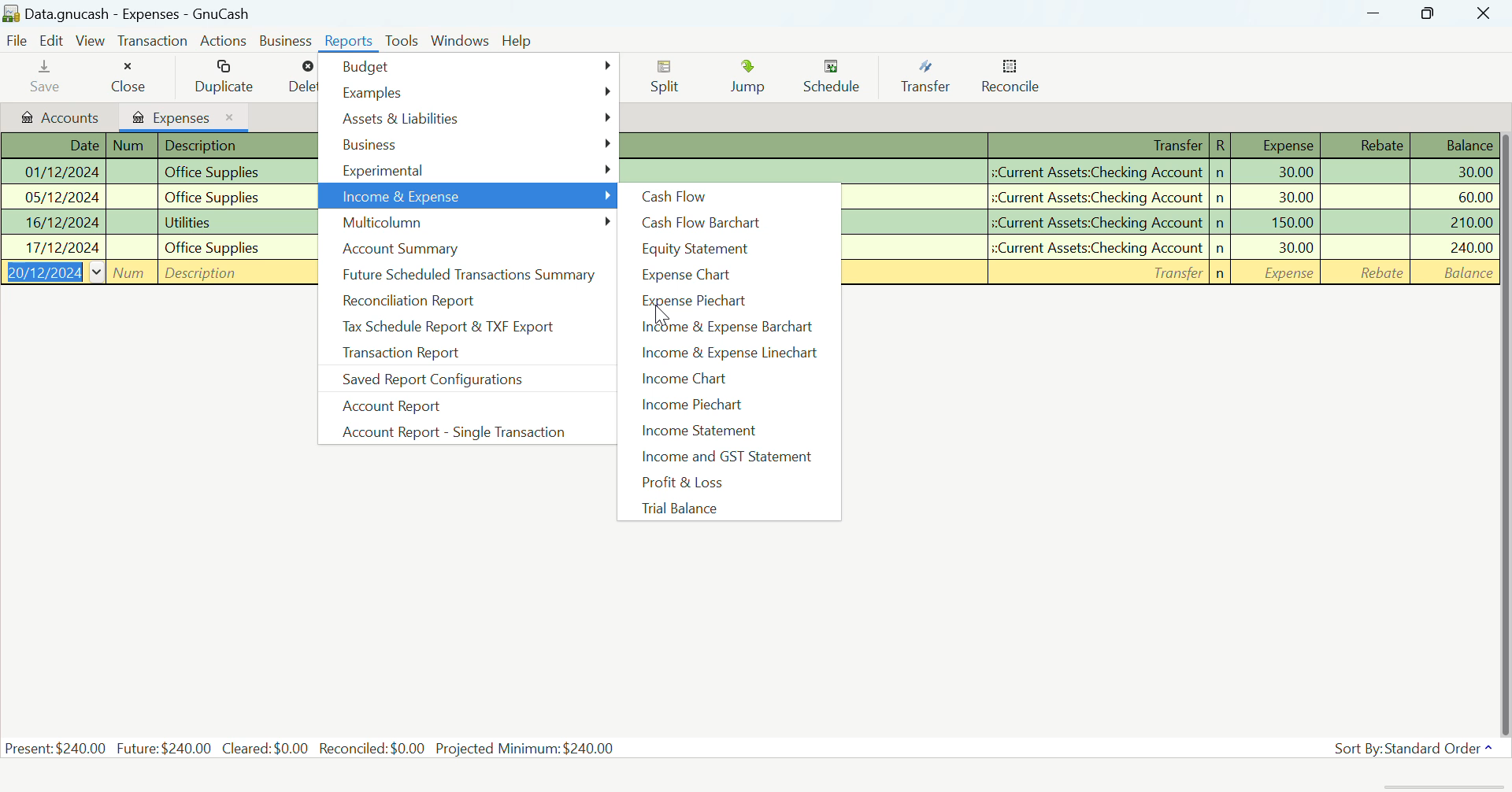 This screenshot has width=1512, height=792. Describe the element at coordinates (91, 40) in the screenshot. I see `View` at that location.